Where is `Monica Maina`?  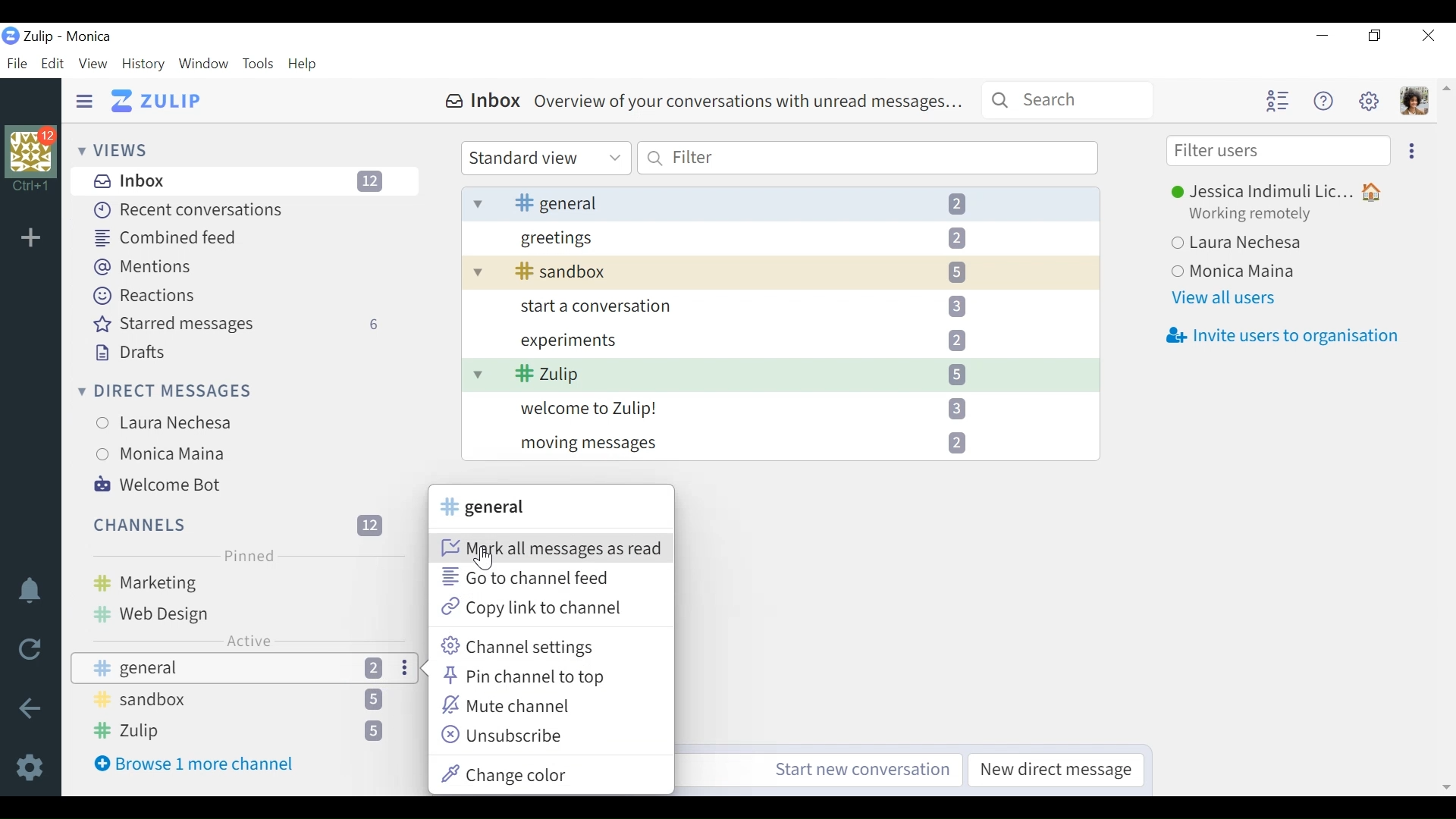
Monica Maina is located at coordinates (1281, 272).